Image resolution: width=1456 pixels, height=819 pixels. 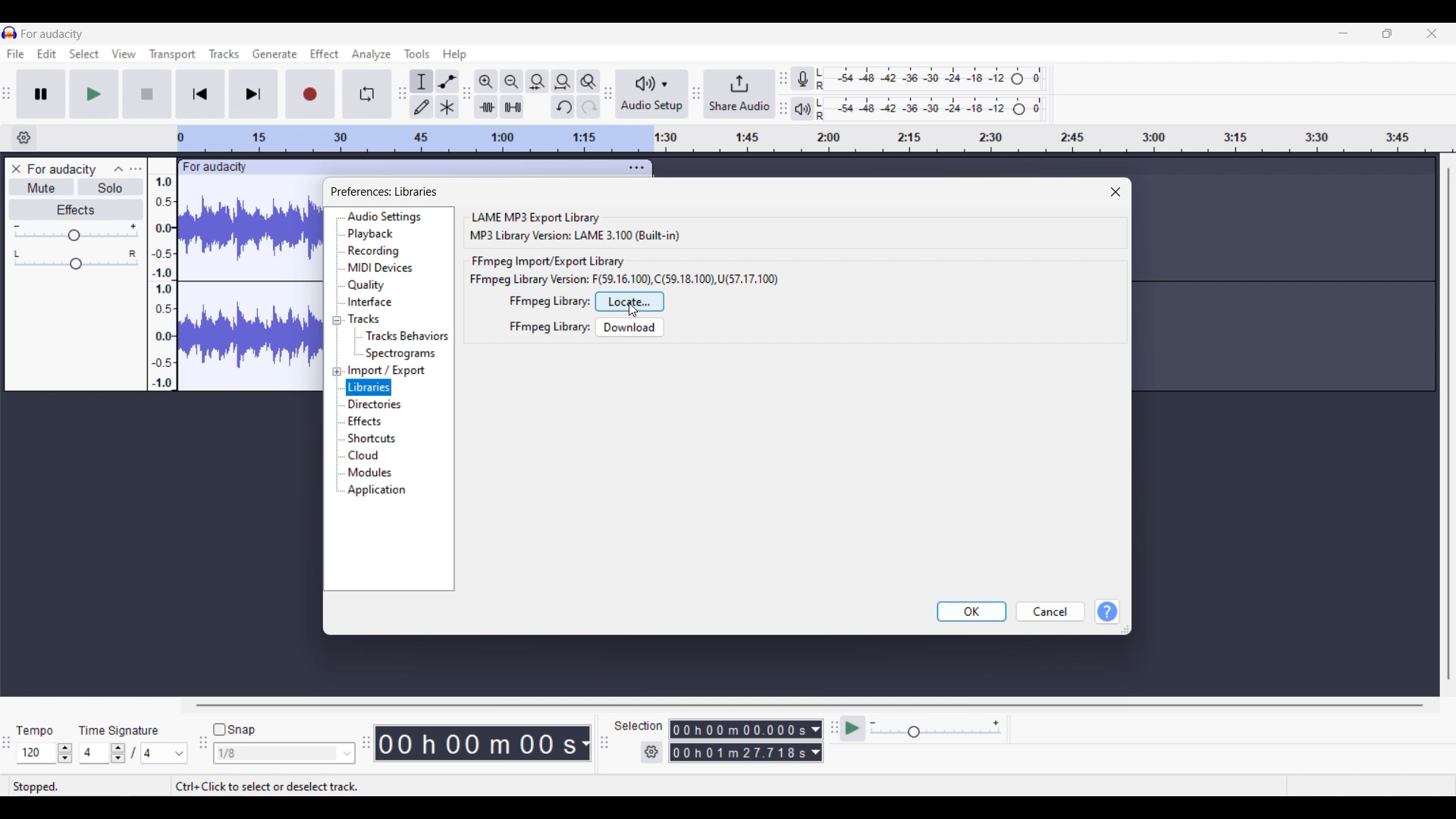 What do you see at coordinates (36, 786) in the screenshot?
I see `stopped` at bounding box center [36, 786].